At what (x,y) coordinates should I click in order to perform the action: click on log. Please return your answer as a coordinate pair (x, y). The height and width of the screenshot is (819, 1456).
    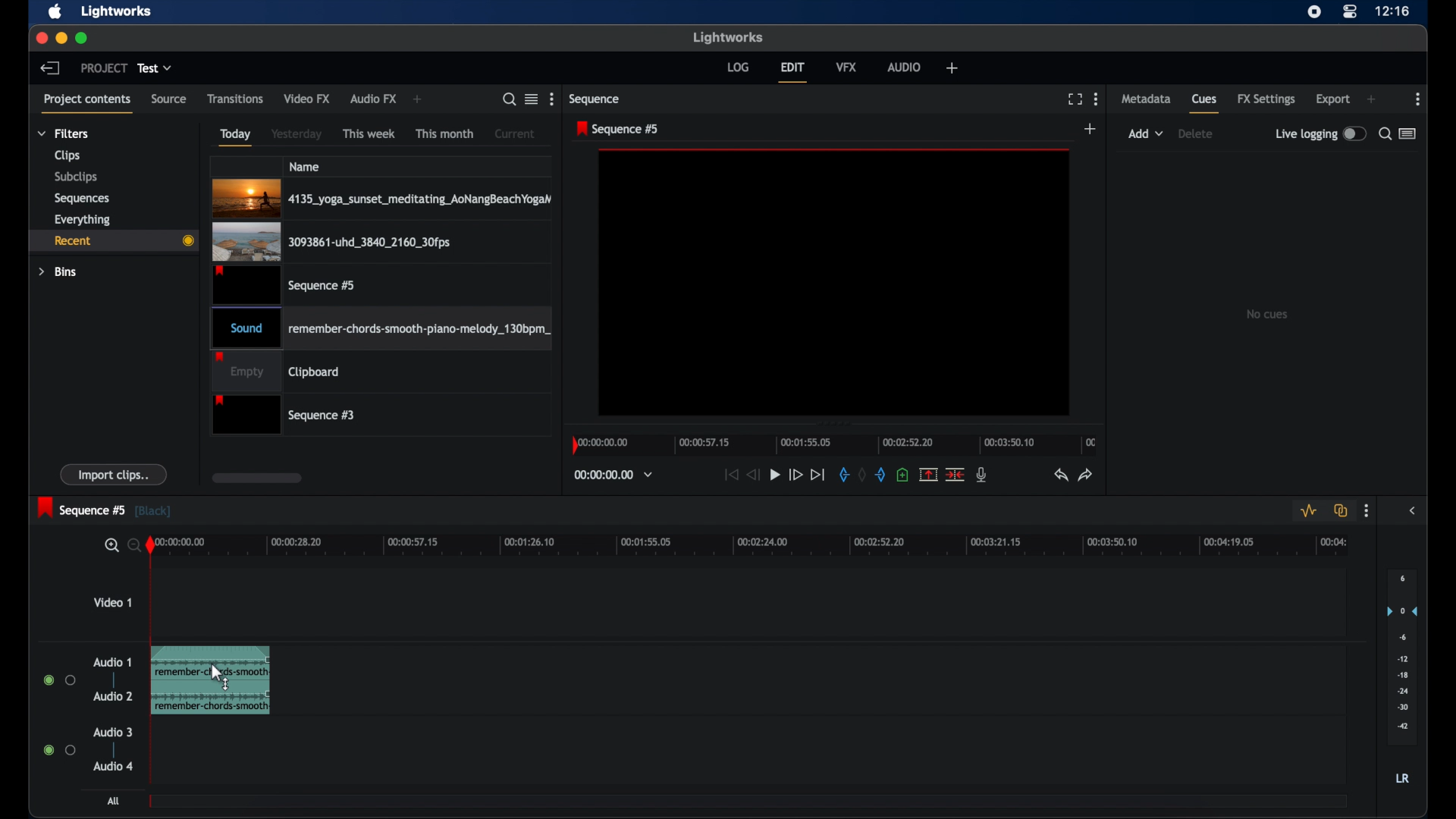
    Looking at the image, I should click on (738, 67).